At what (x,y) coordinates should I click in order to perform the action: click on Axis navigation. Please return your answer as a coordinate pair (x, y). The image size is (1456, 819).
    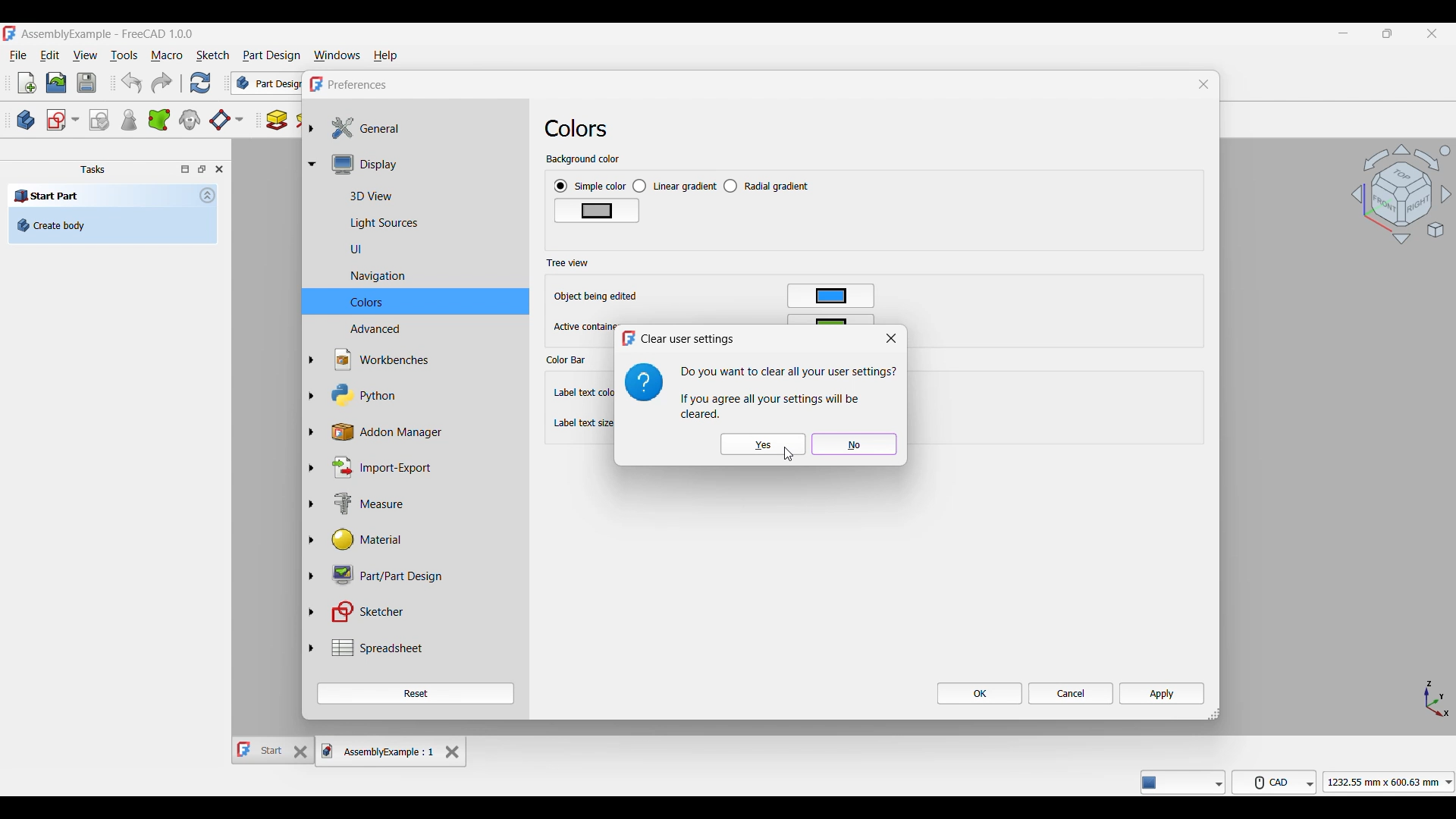
    Looking at the image, I should click on (1438, 699).